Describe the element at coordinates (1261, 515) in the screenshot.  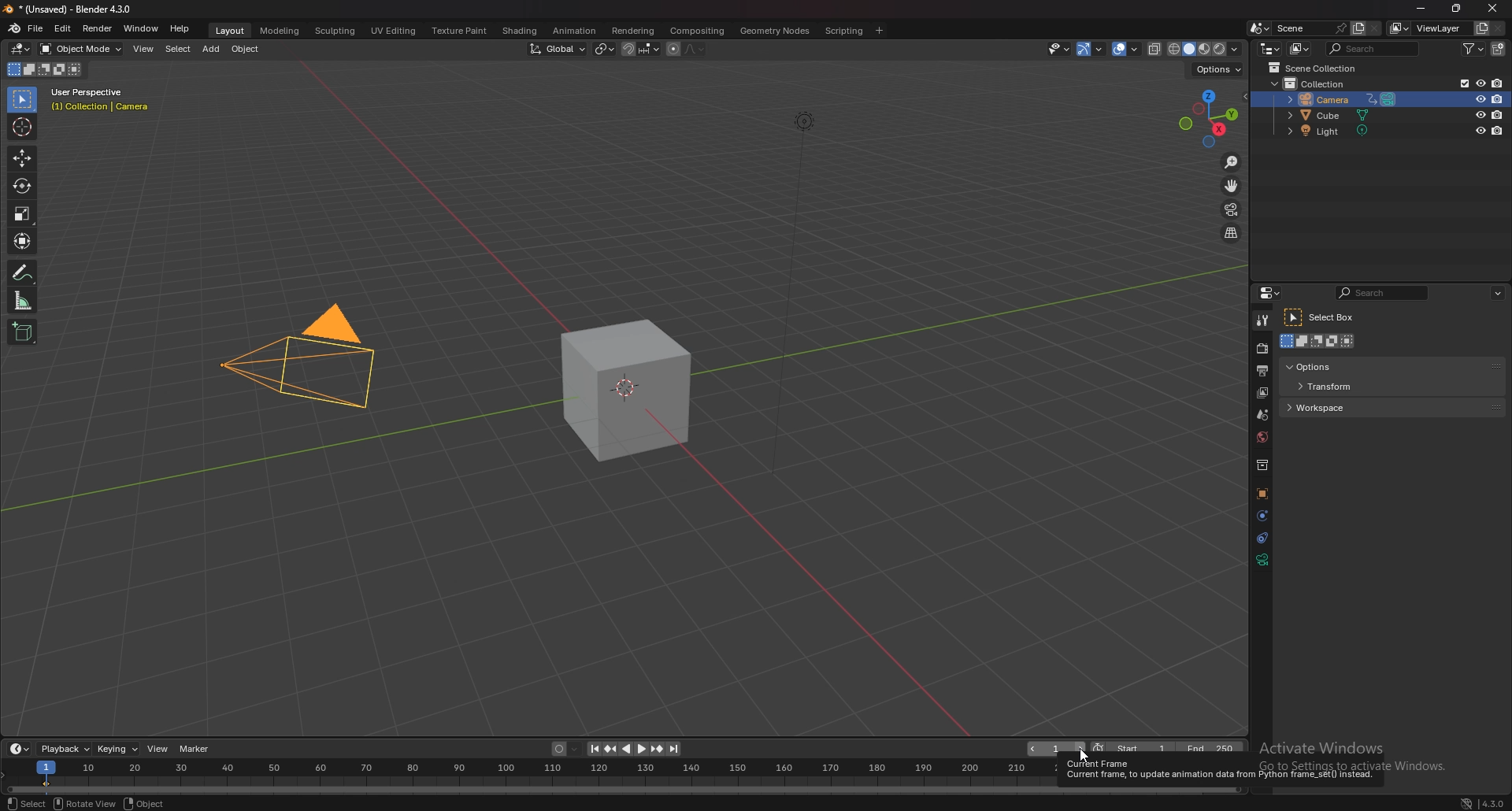
I see `physics` at that location.